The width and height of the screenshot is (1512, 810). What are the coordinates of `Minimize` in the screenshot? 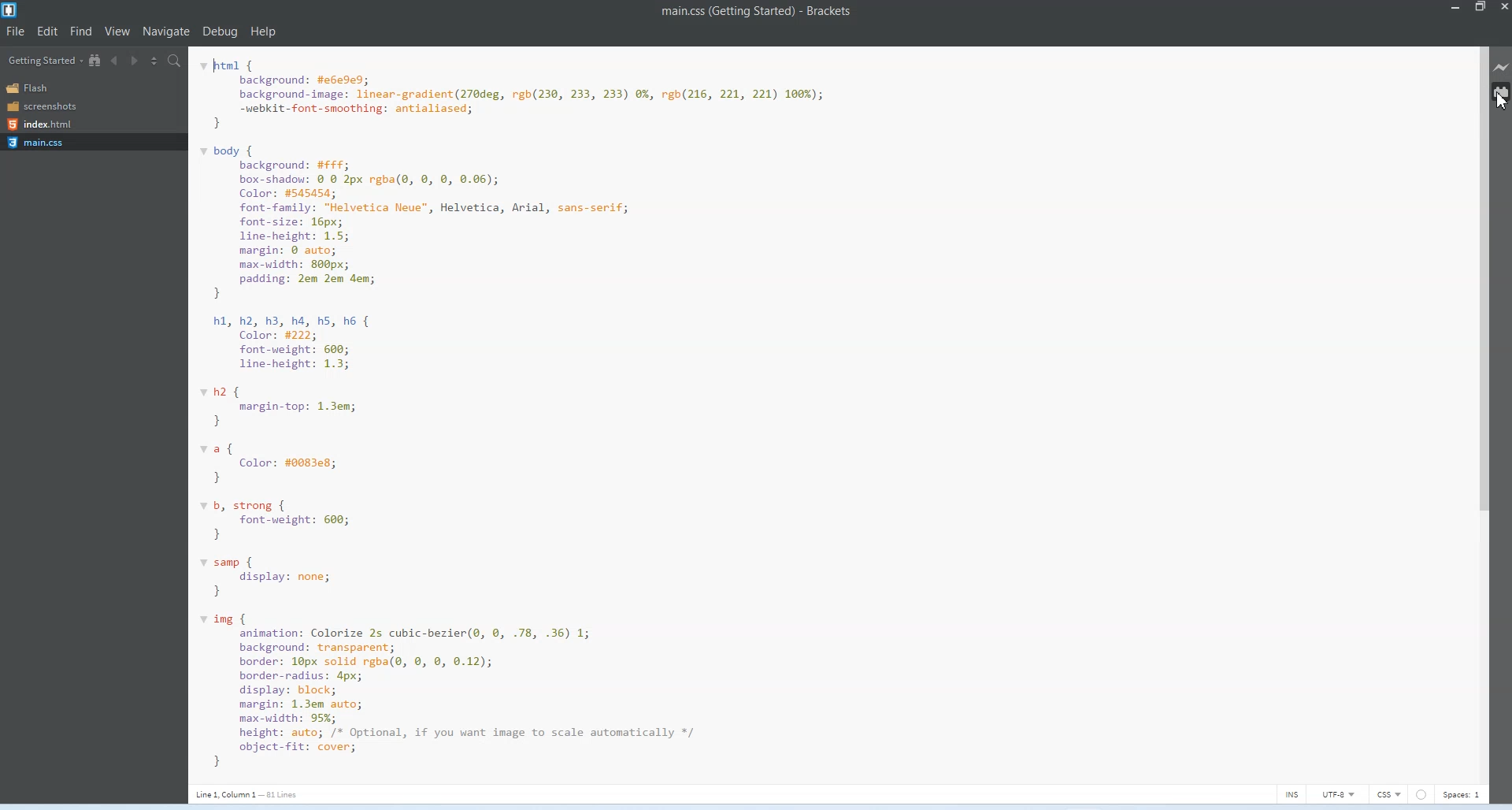 It's located at (1456, 8).